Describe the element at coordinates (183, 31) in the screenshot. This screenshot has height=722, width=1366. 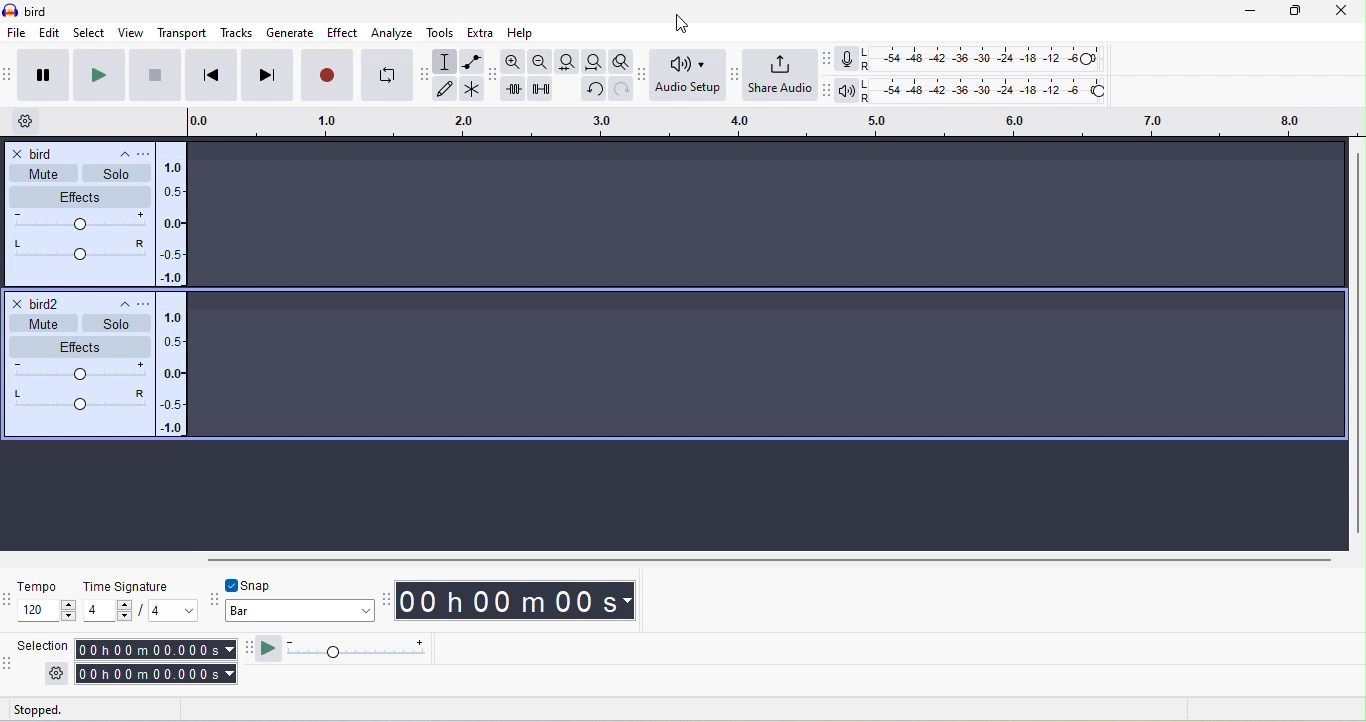
I see `transport` at that location.